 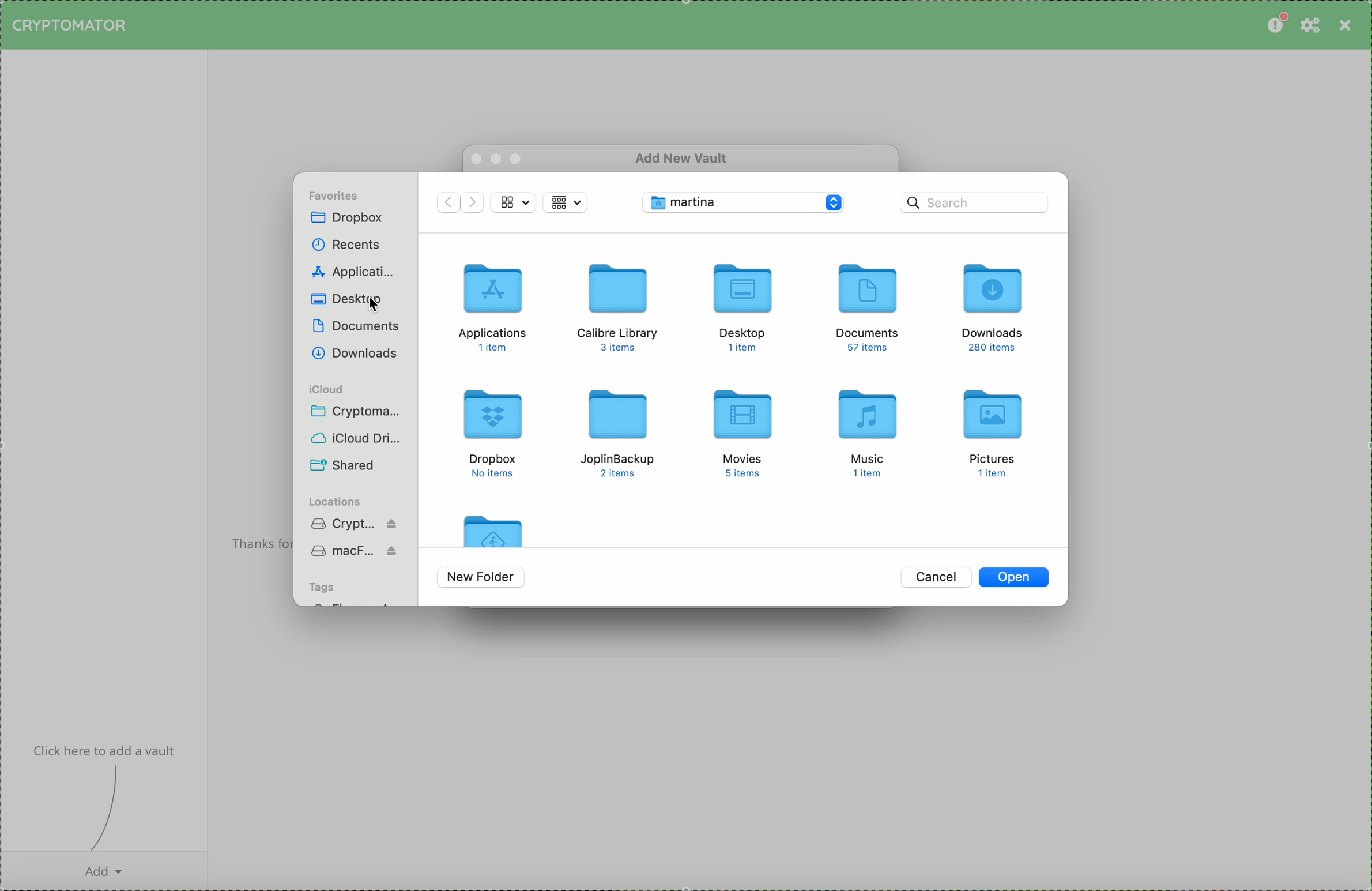 I want to click on info, so click(x=102, y=754).